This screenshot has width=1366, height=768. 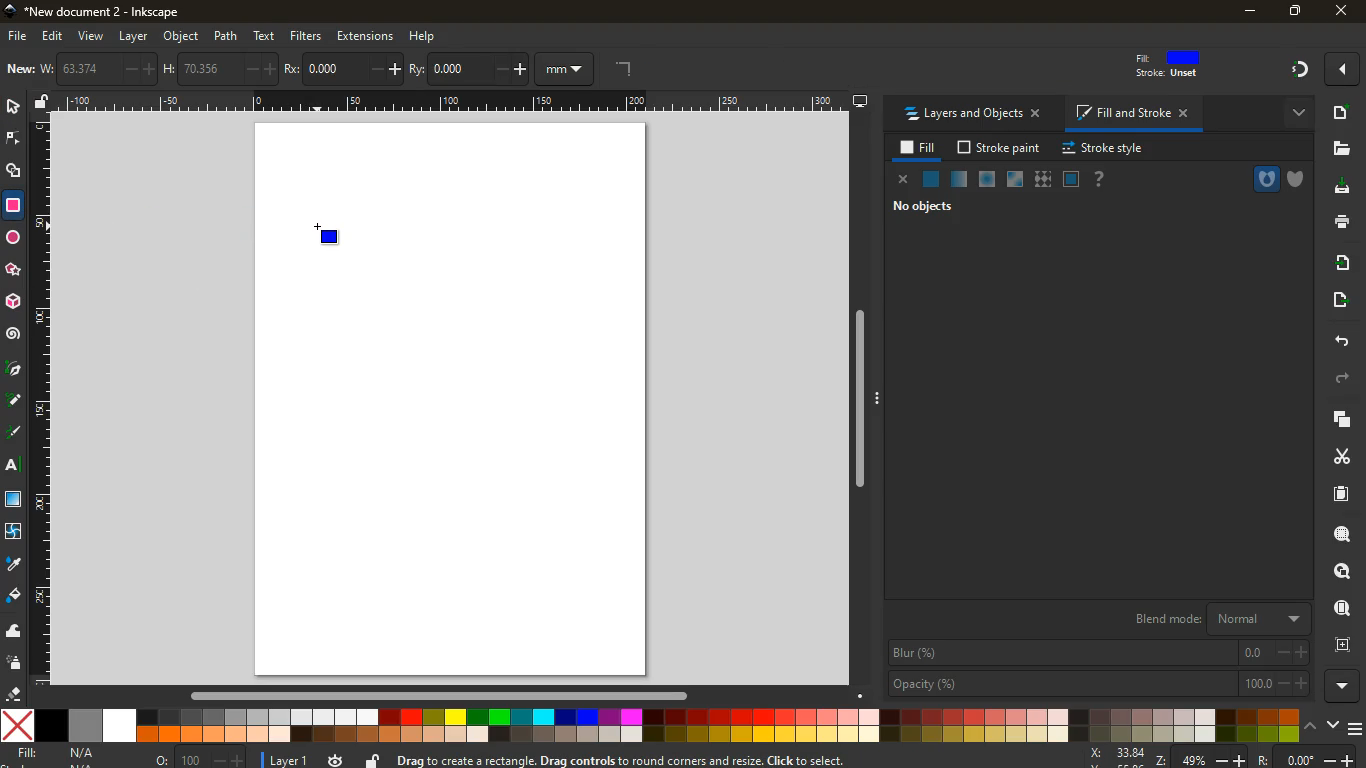 What do you see at coordinates (1342, 570) in the screenshot?
I see `look` at bounding box center [1342, 570].